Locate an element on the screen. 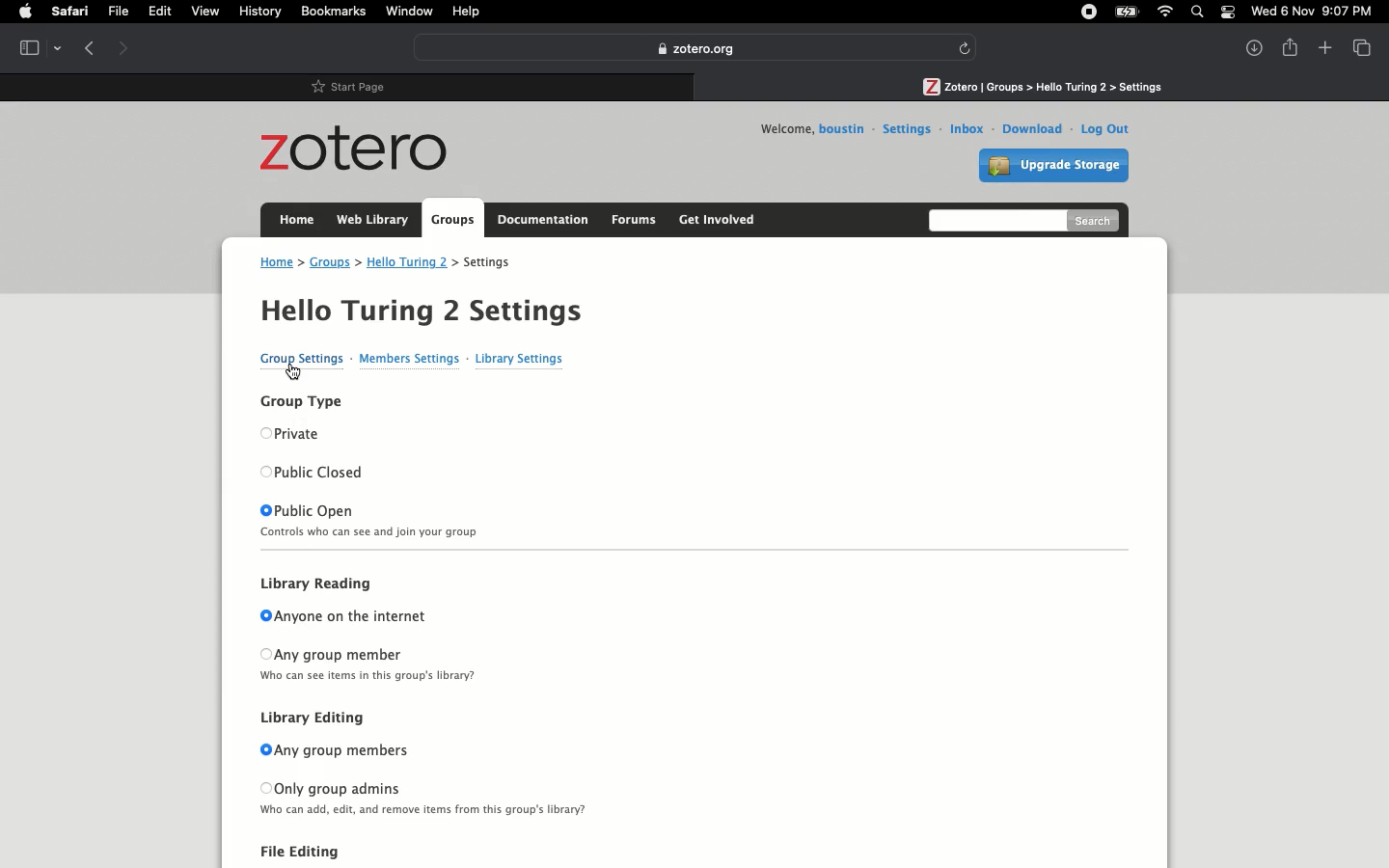 Image resolution: width=1389 pixels, height=868 pixels. Any group members is located at coordinates (329, 749).